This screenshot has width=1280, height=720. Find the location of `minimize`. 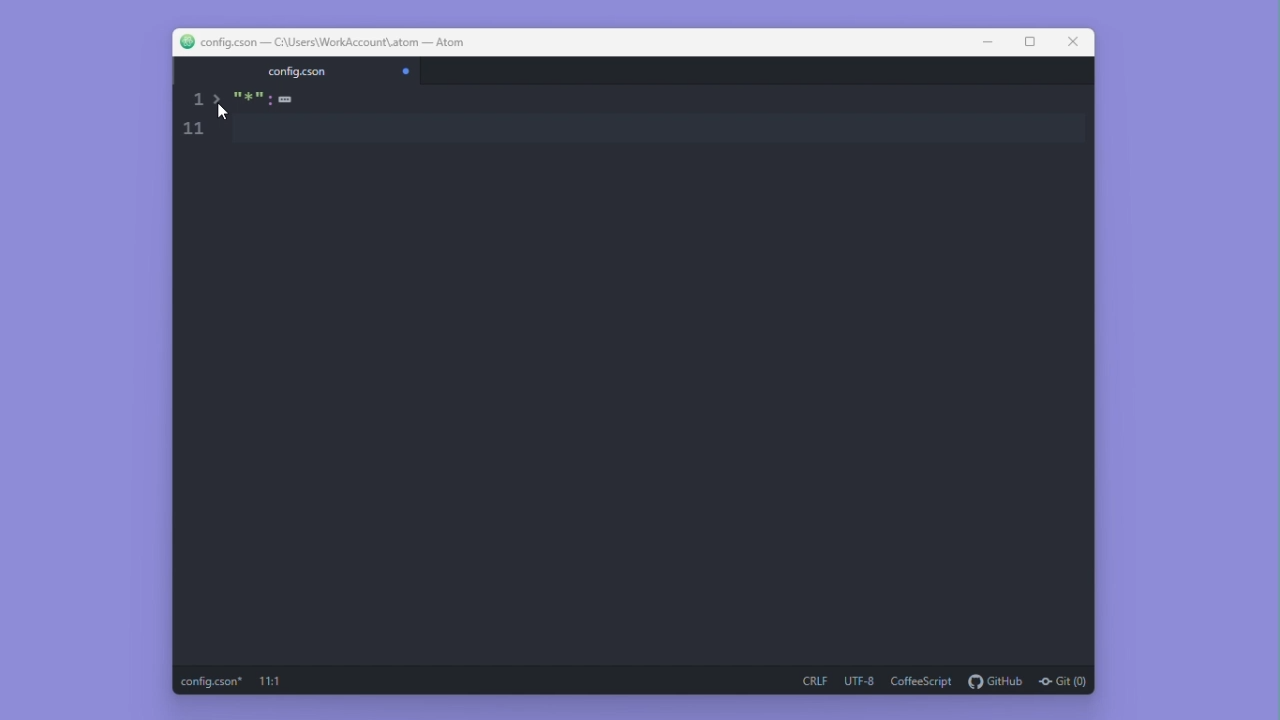

minimize is located at coordinates (985, 43).